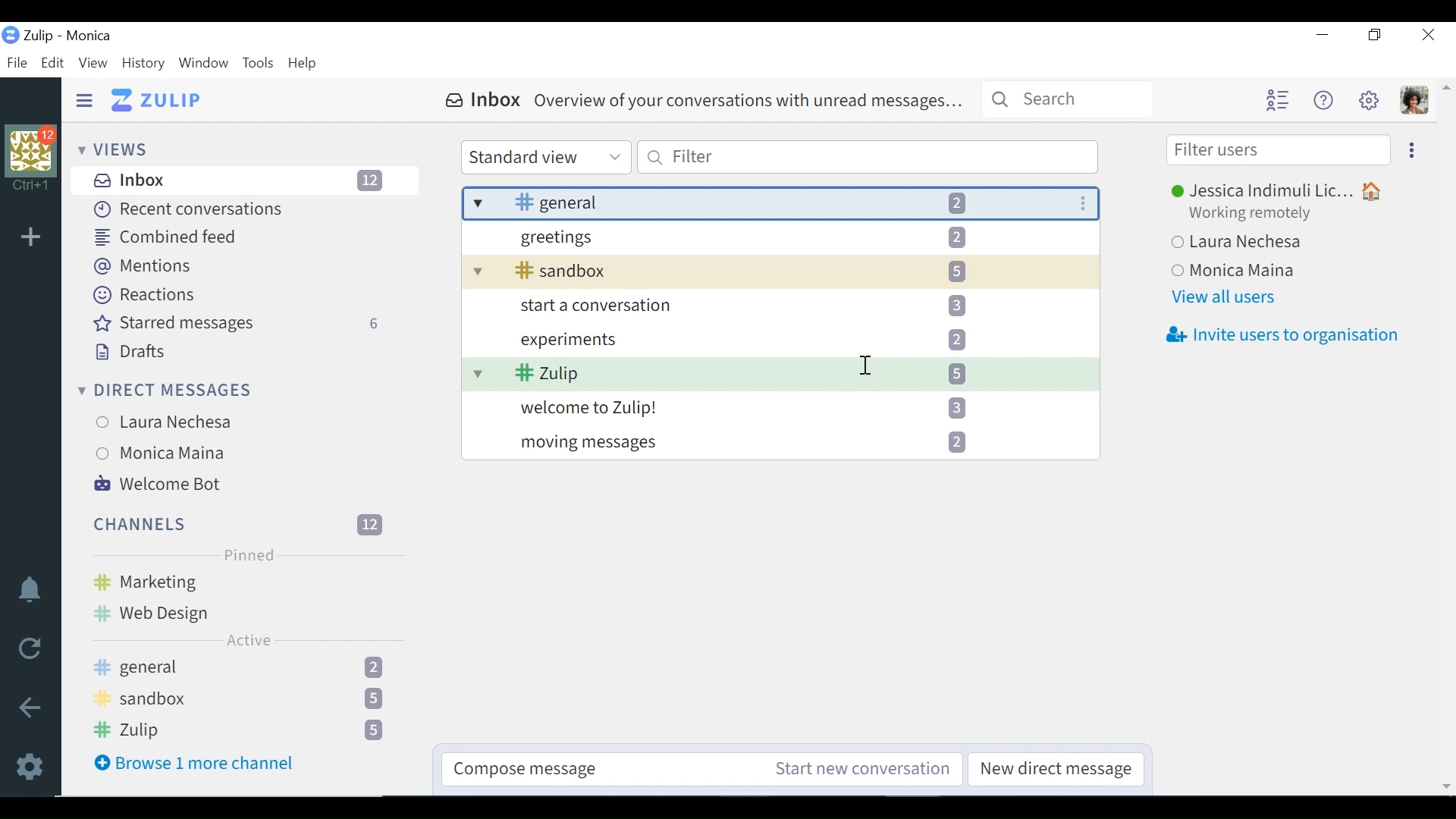 Image resolution: width=1456 pixels, height=819 pixels. Describe the element at coordinates (1414, 148) in the screenshot. I see `Ellipse` at that location.